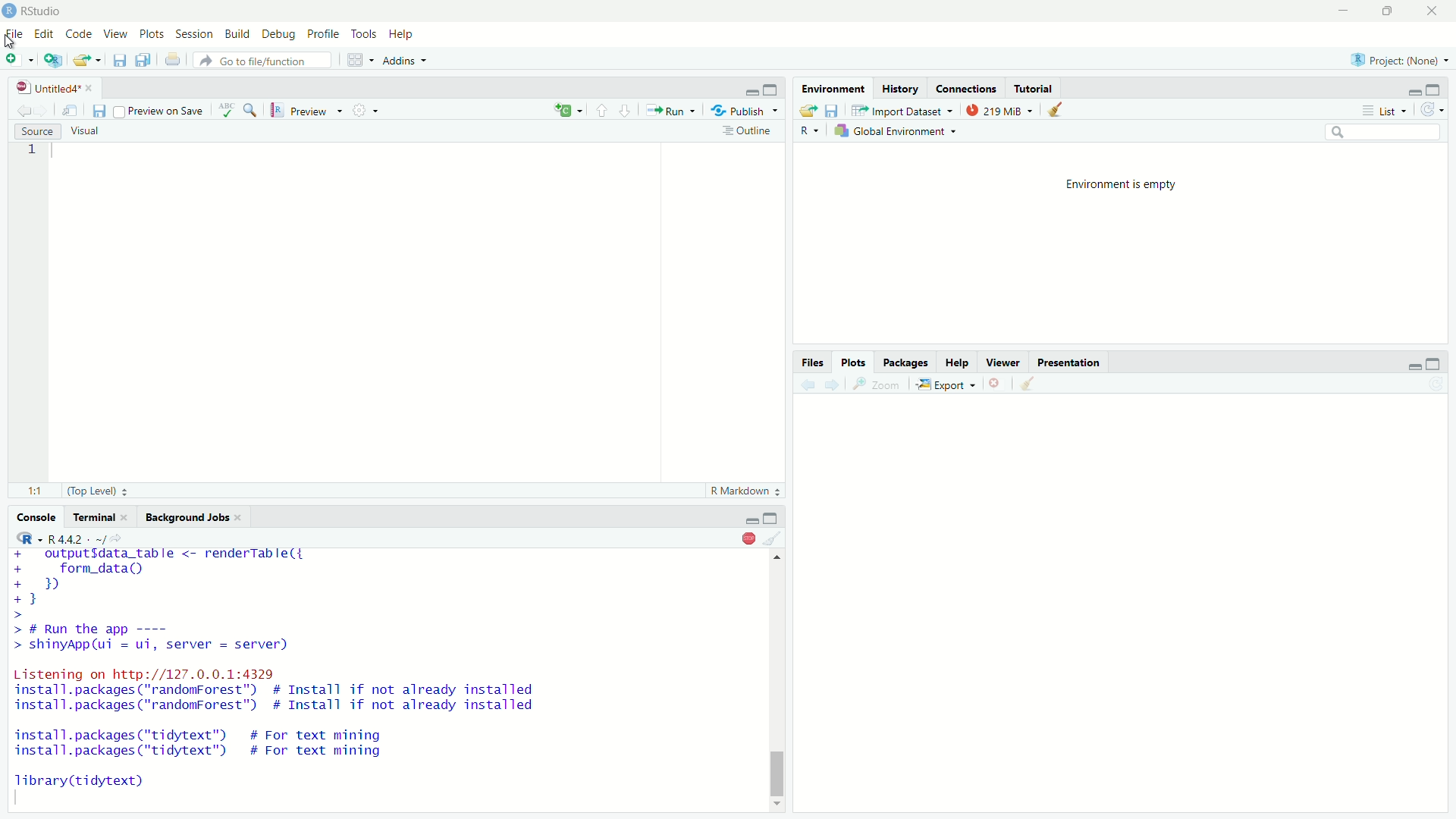 This screenshot has width=1456, height=819. What do you see at coordinates (55, 87) in the screenshot?
I see `Untitled4*` at bounding box center [55, 87].